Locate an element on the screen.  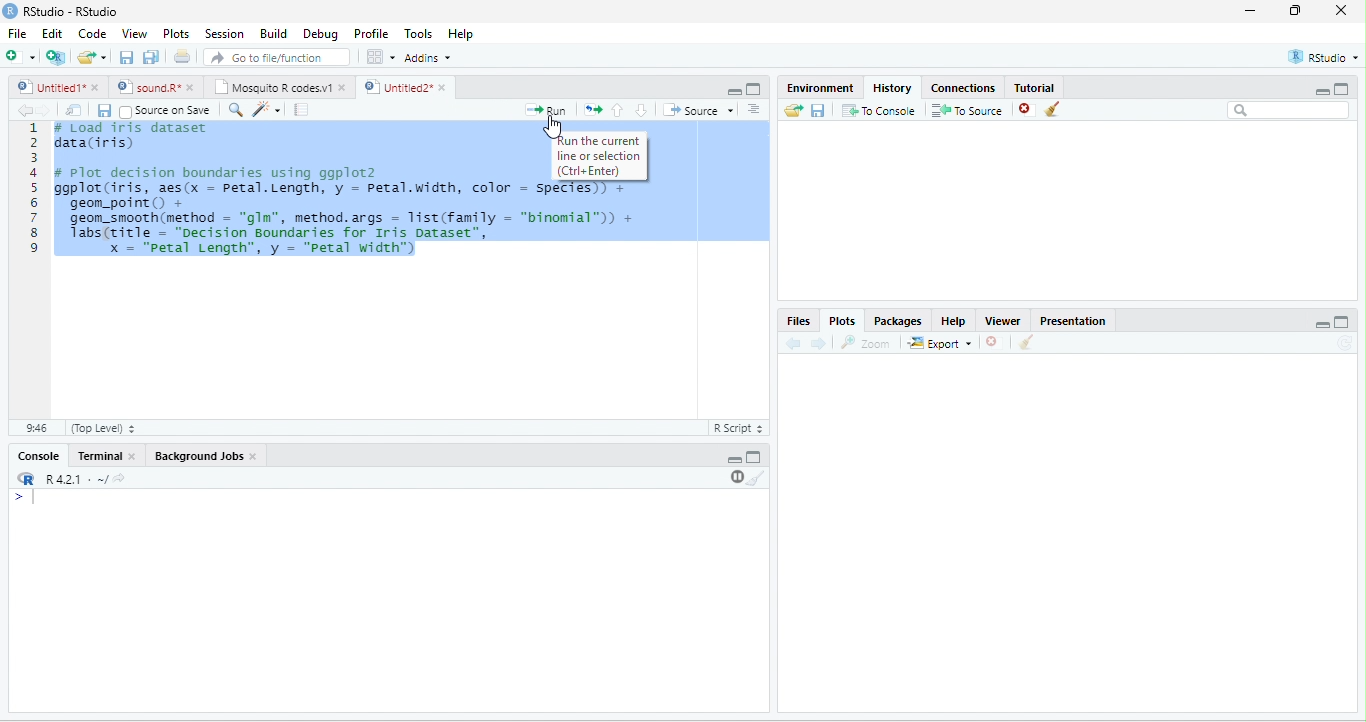
close is located at coordinates (1341, 10).